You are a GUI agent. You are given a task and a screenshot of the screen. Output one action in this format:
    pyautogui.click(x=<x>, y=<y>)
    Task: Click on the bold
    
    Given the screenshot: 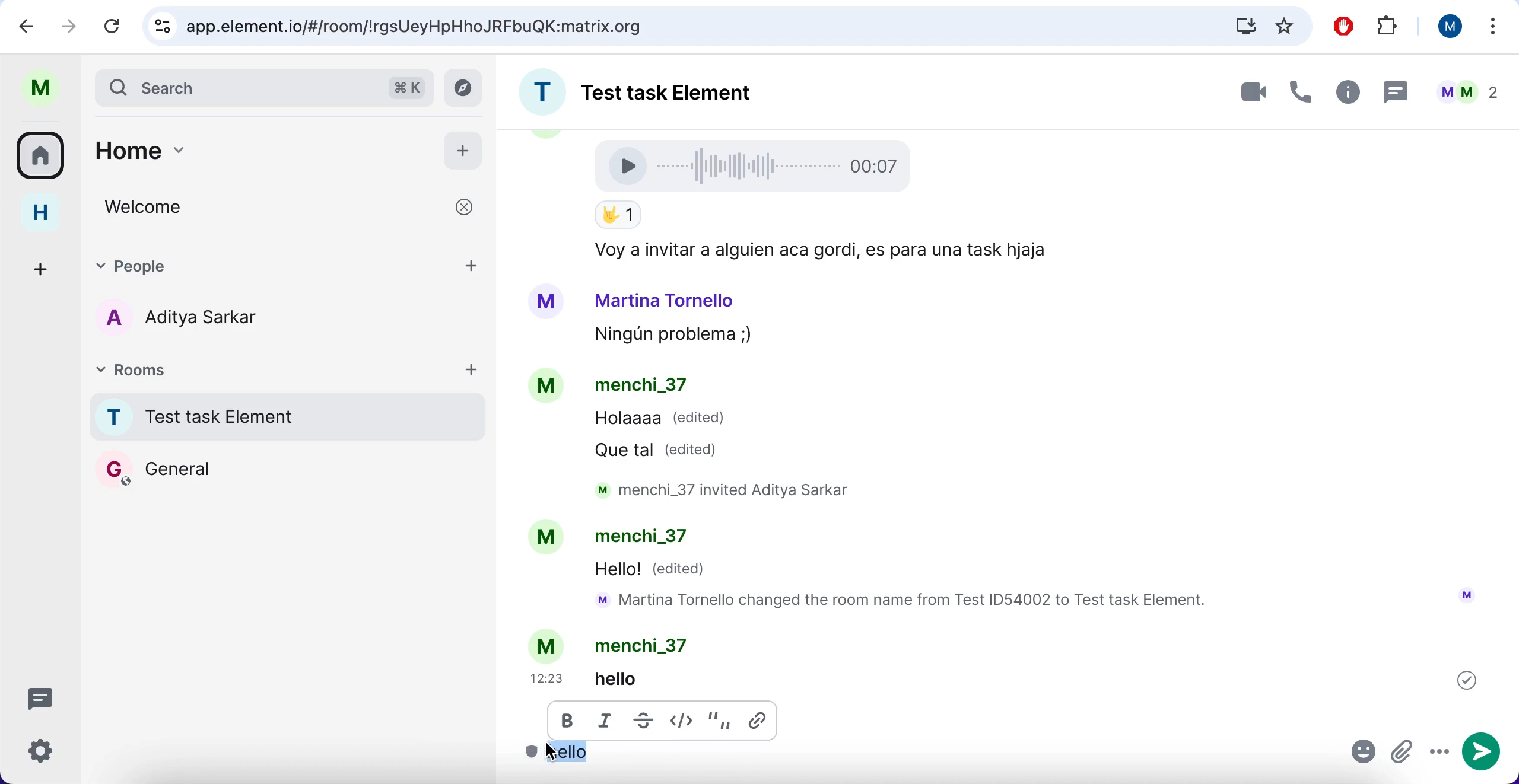 What is the action you would take?
    pyautogui.click(x=568, y=725)
    